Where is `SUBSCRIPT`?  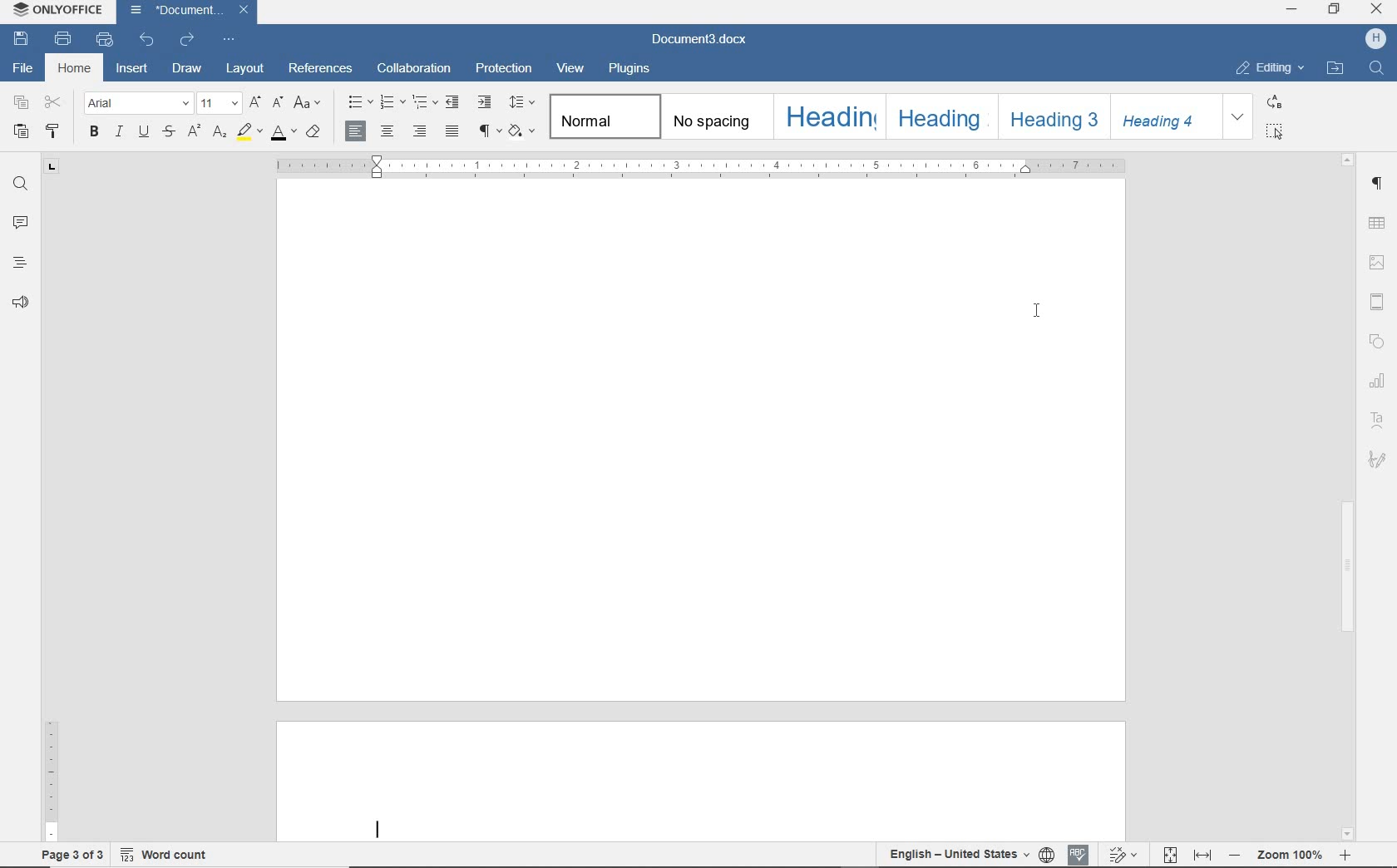 SUBSCRIPT is located at coordinates (219, 131).